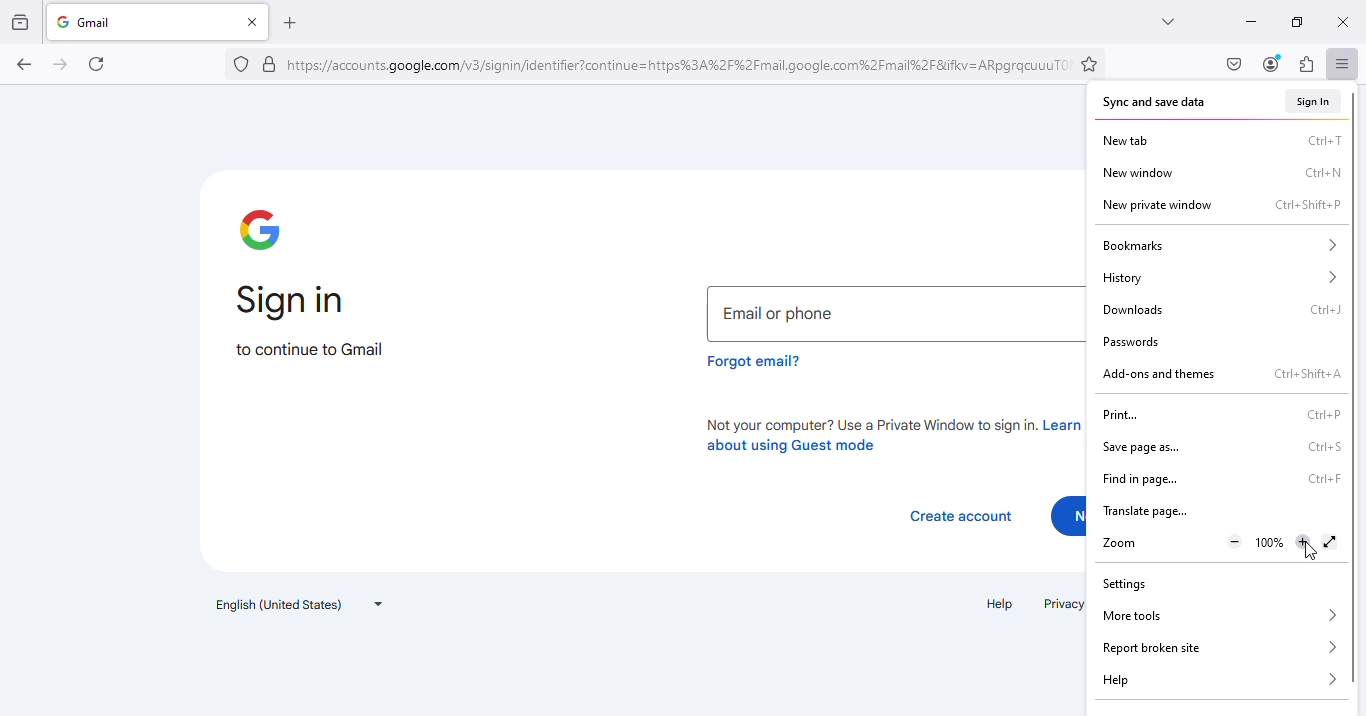 Image resolution: width=1366 pixels, height=716 pixels. I want to click on maximize, so click(1298, 22).